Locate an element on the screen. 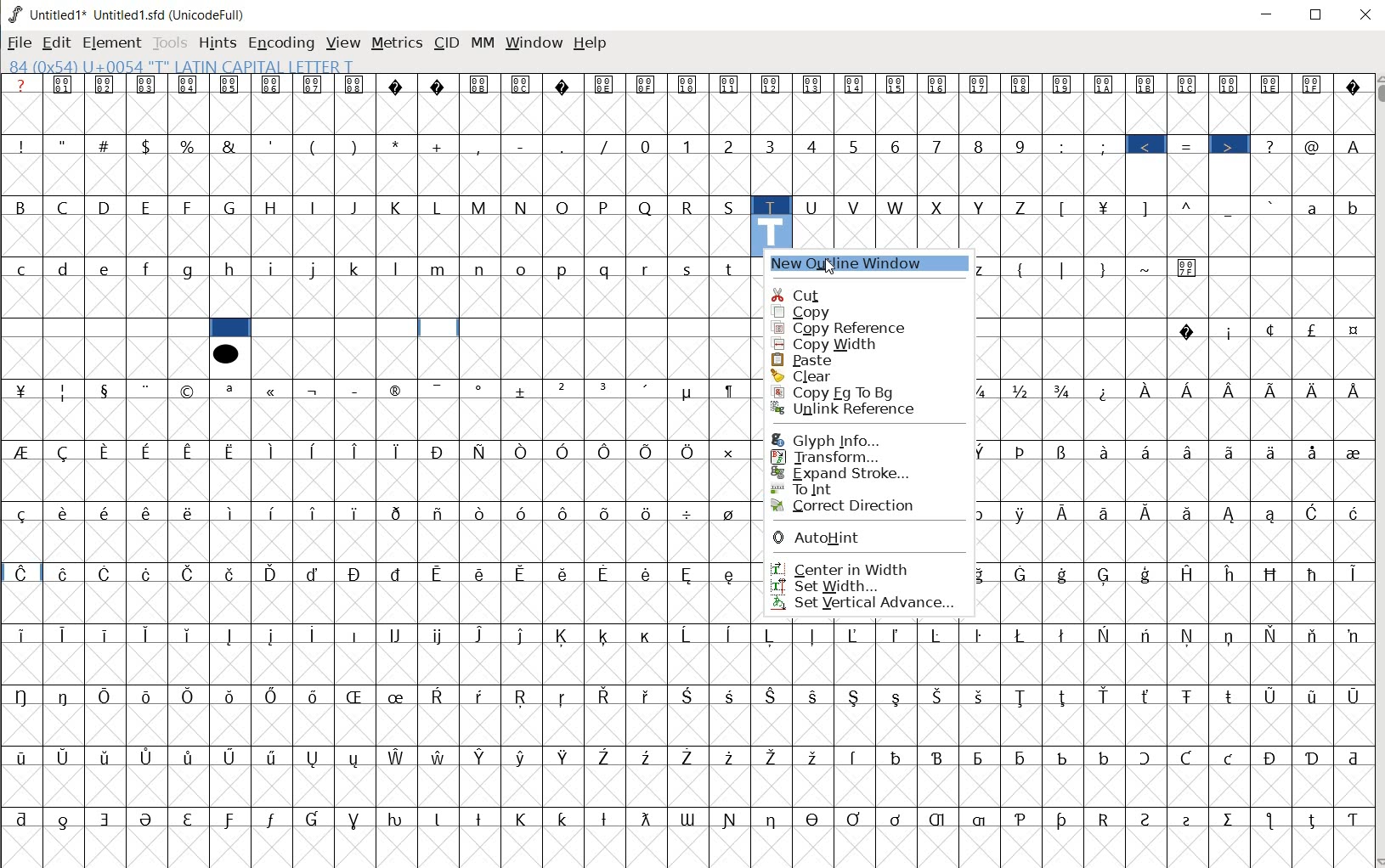 The height and width of the screenshot is (868, 1385). Symbol is located at coordinates (772, 85).